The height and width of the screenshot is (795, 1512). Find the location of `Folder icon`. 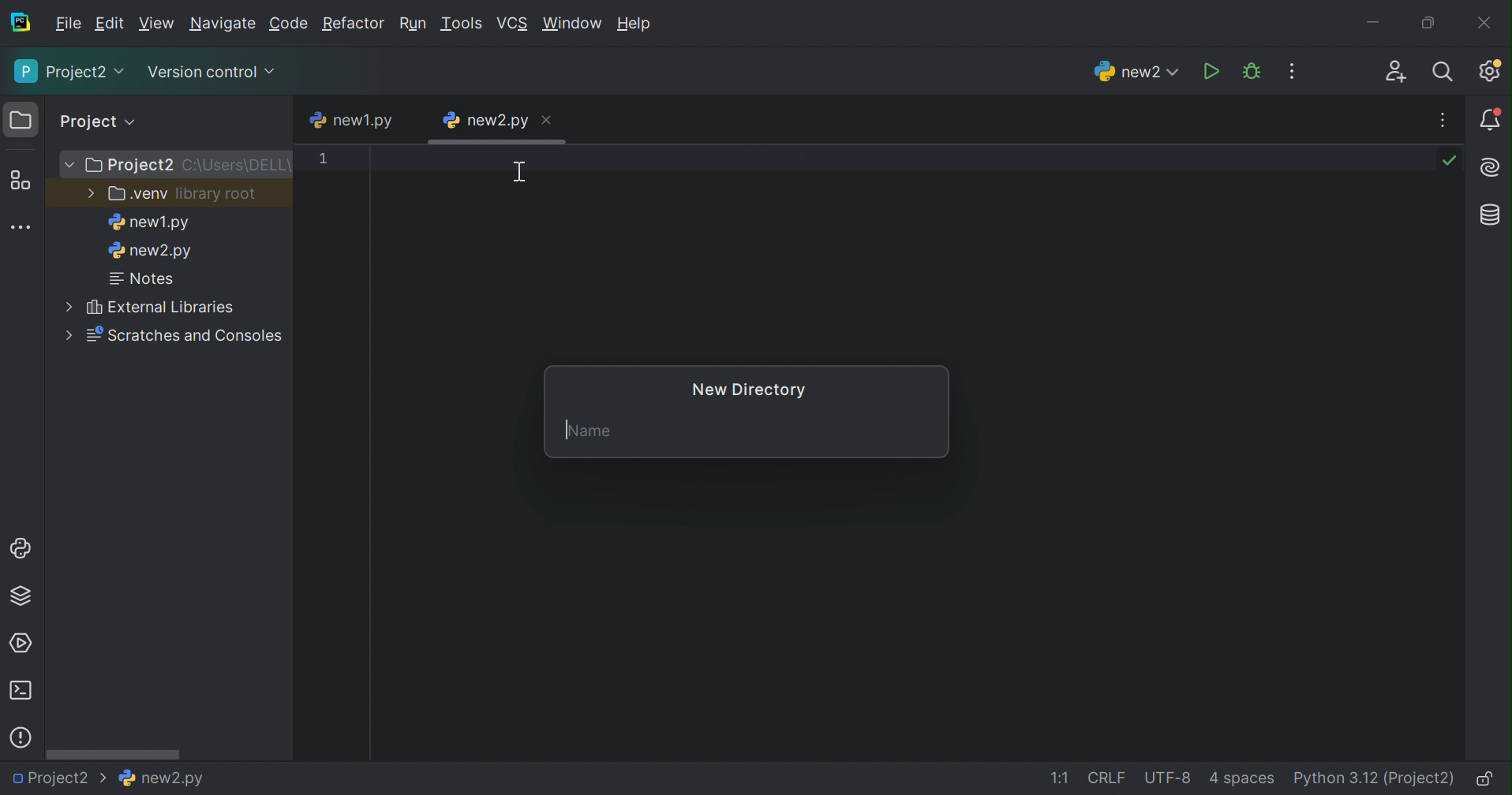

Folder icon is located at coordinates (21, 119).